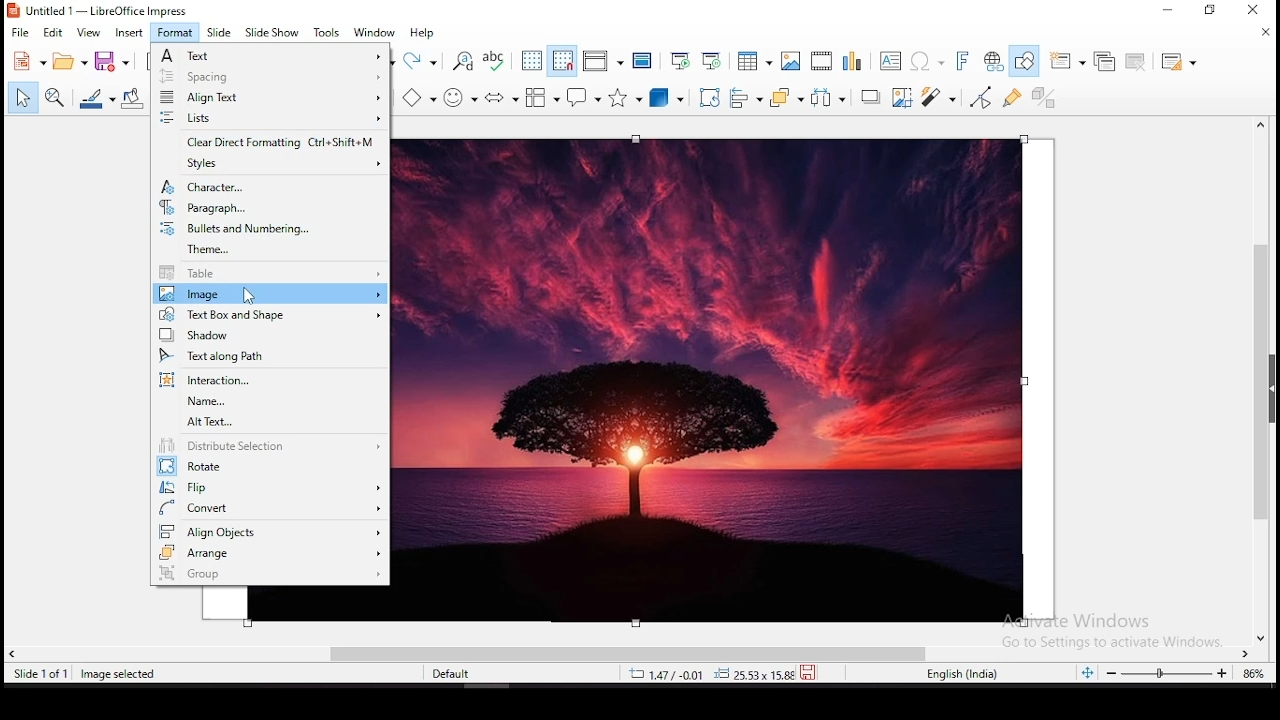 The height and width of the screenshot is (720, 1280). Describe the element at coordinates (785, 98) in the screenshot. I see `arrange` at that location.